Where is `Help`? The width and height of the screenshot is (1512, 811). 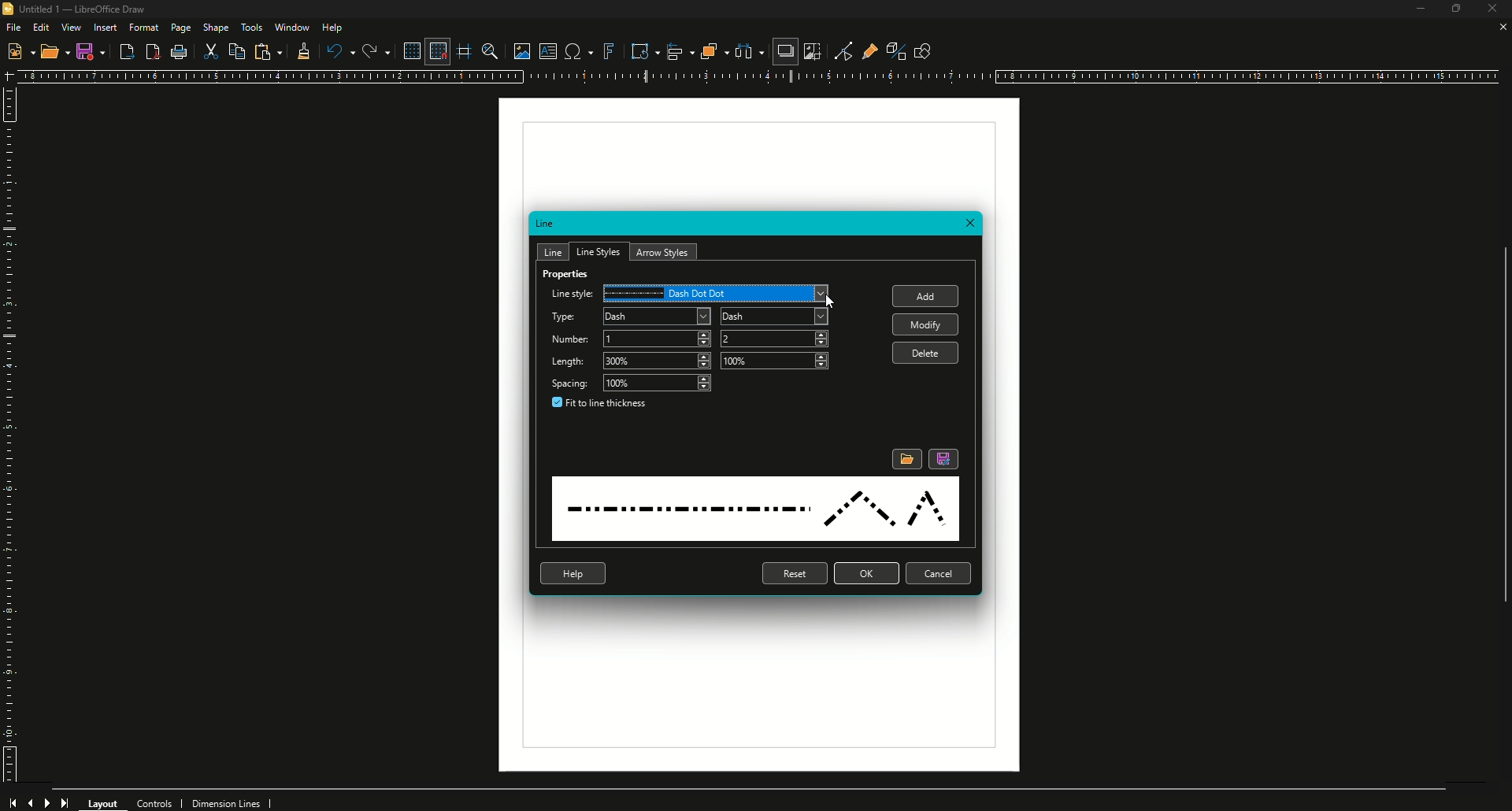
Help is located at coordinates (573, 573).